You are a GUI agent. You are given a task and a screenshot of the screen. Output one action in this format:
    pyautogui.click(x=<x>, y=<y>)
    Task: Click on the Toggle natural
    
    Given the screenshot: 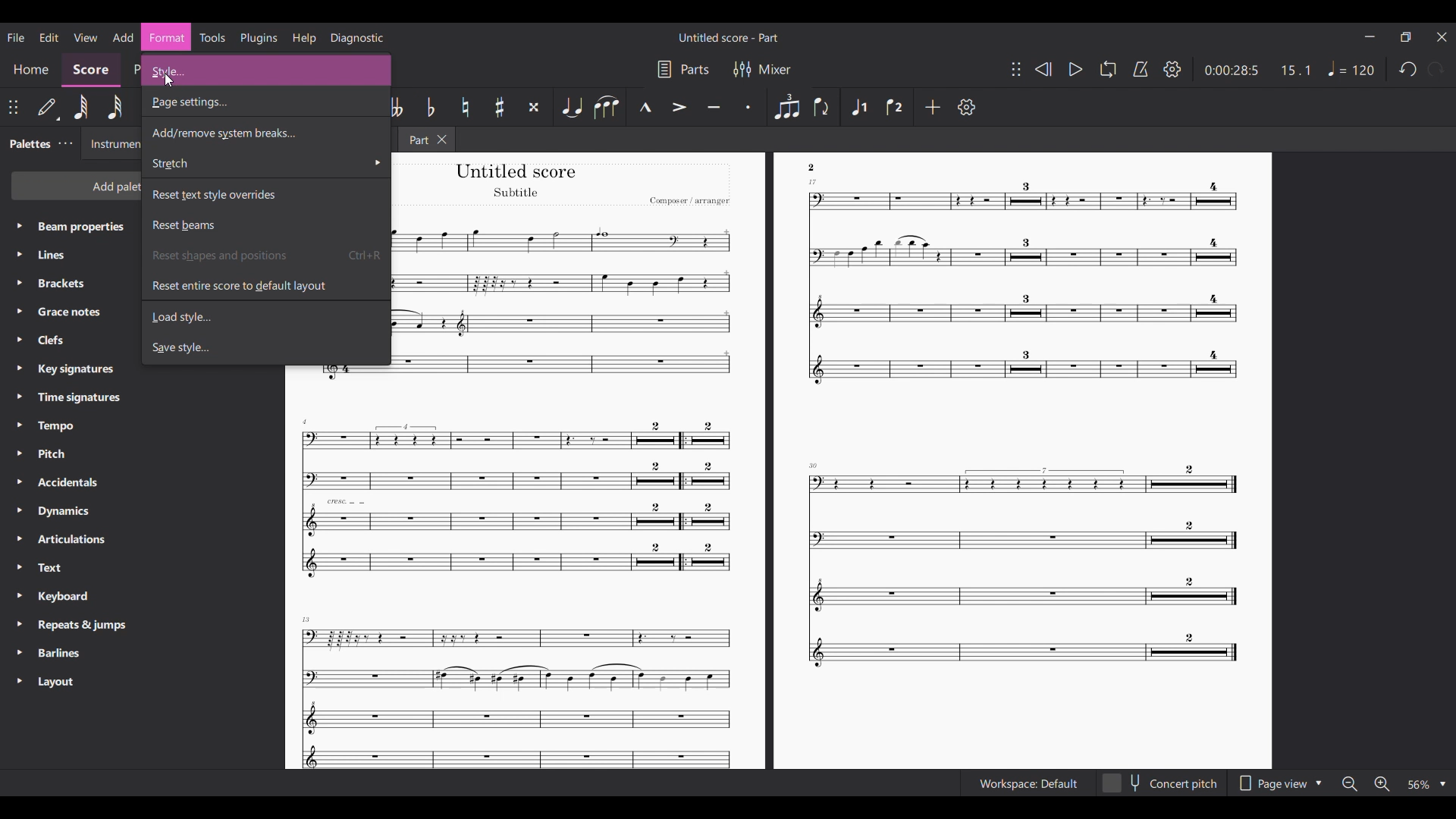 What is the action you would take?
    pyautogui.click(x=466, y=107)
    